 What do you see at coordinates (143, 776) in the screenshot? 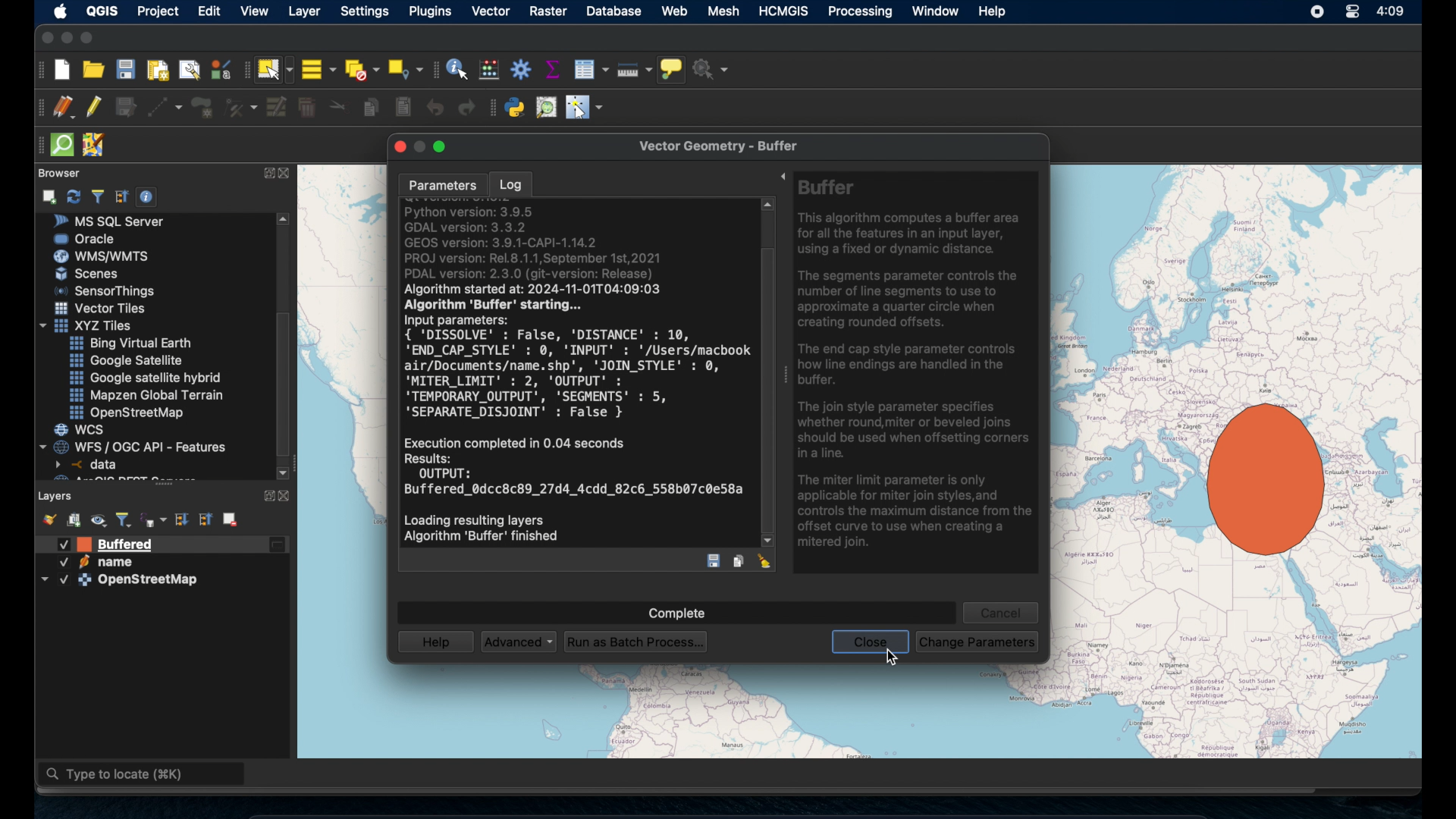
I see `type to locate` at bounding box center [143, 776].